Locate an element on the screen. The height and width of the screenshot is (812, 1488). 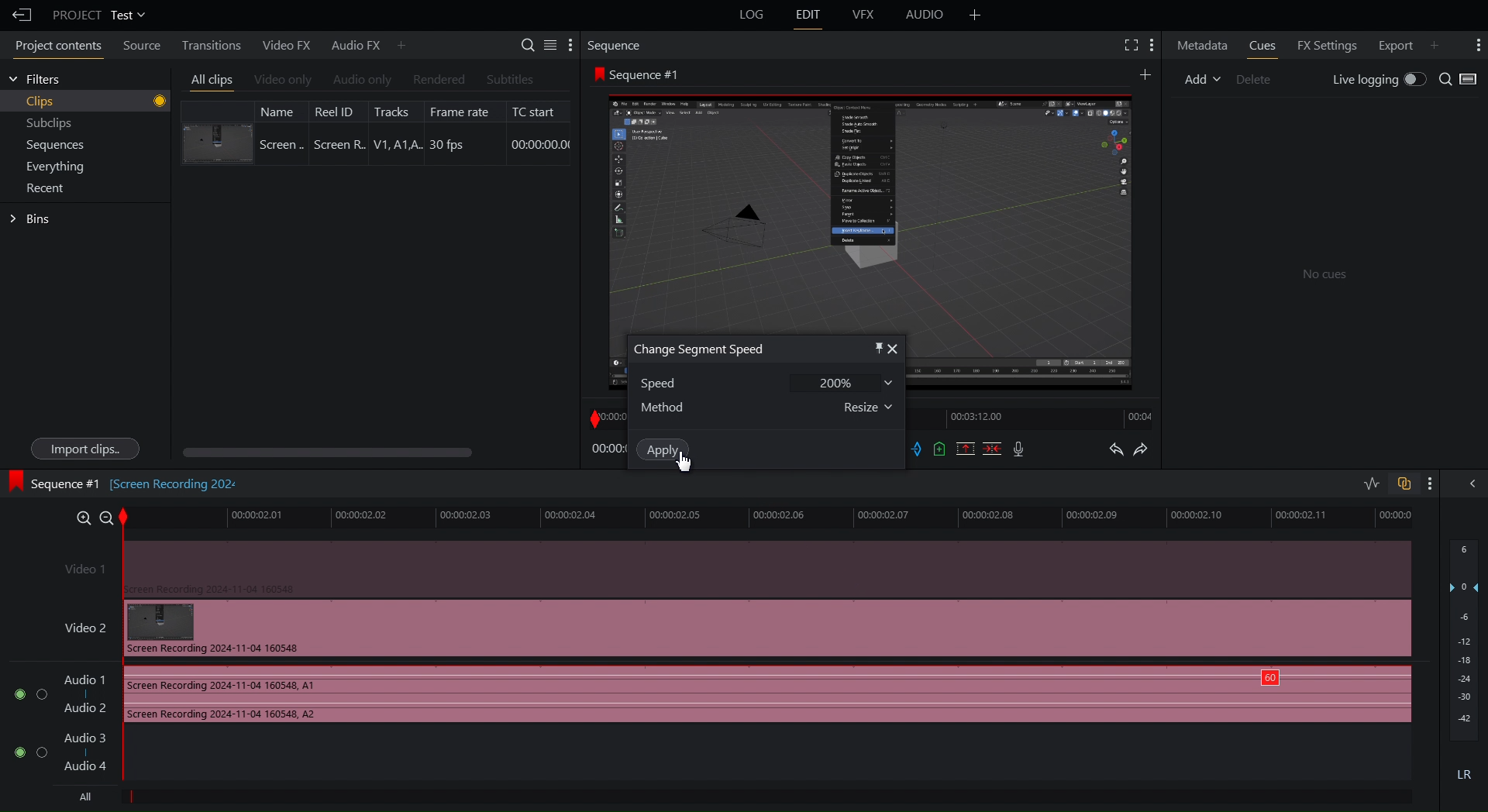
Audio Only is located at coordinates (361, 81).